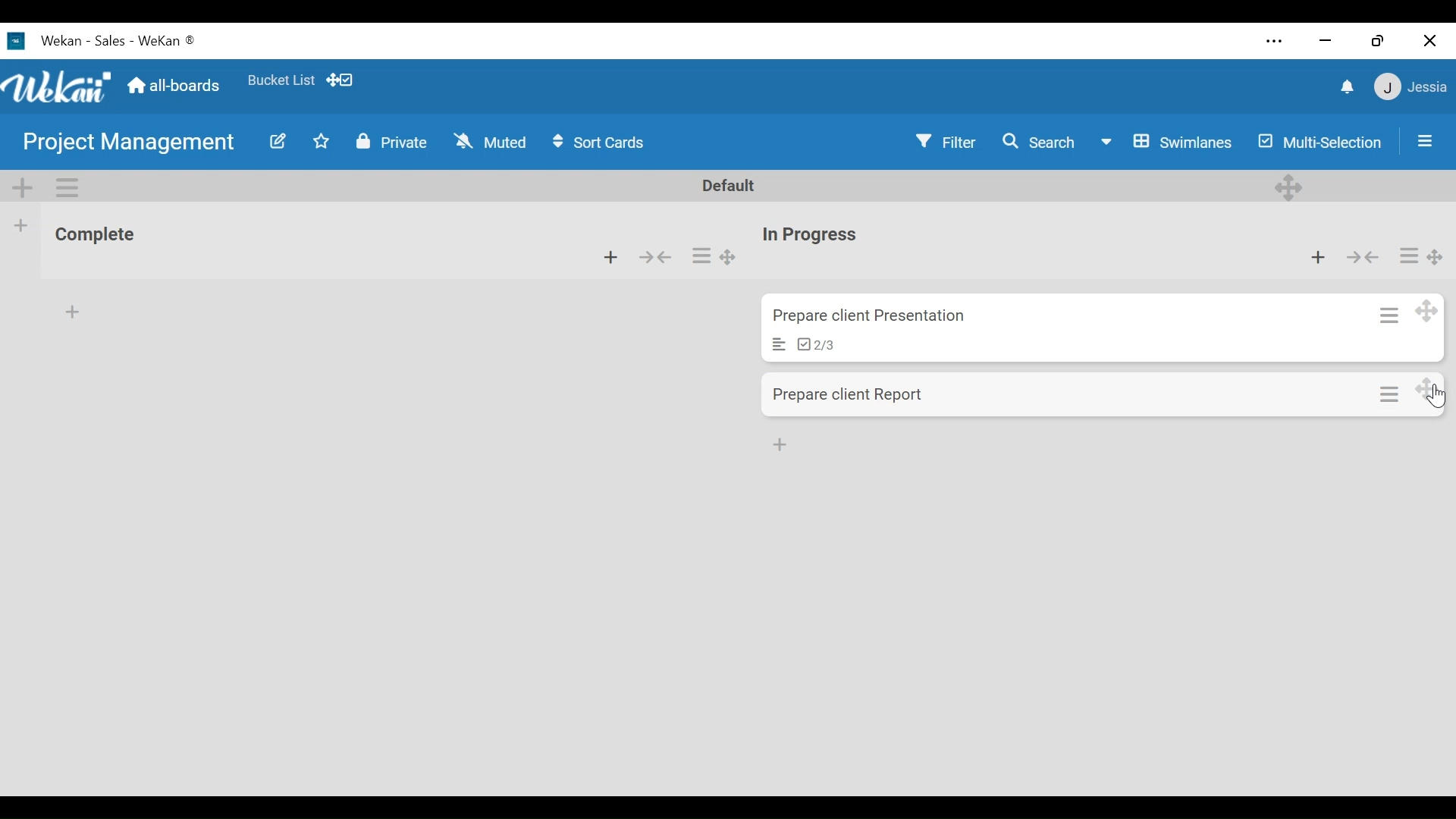 This screenshot has width=1456, height=819. I want to click on Prepare client presentation, so click(874, 317).